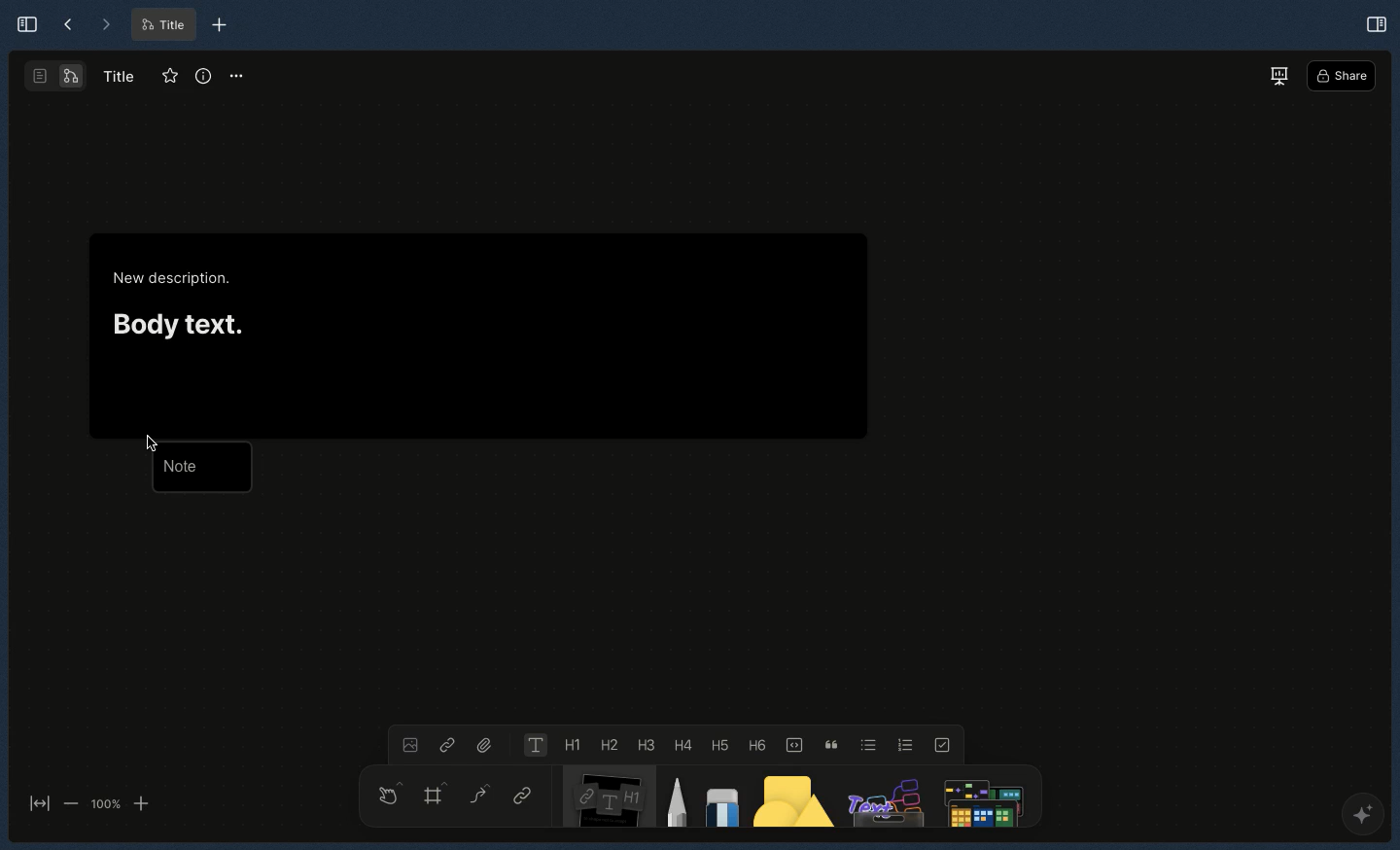 This screenshot has height=850, width=1400. I want to click on Heading 6, so click(755, 744).